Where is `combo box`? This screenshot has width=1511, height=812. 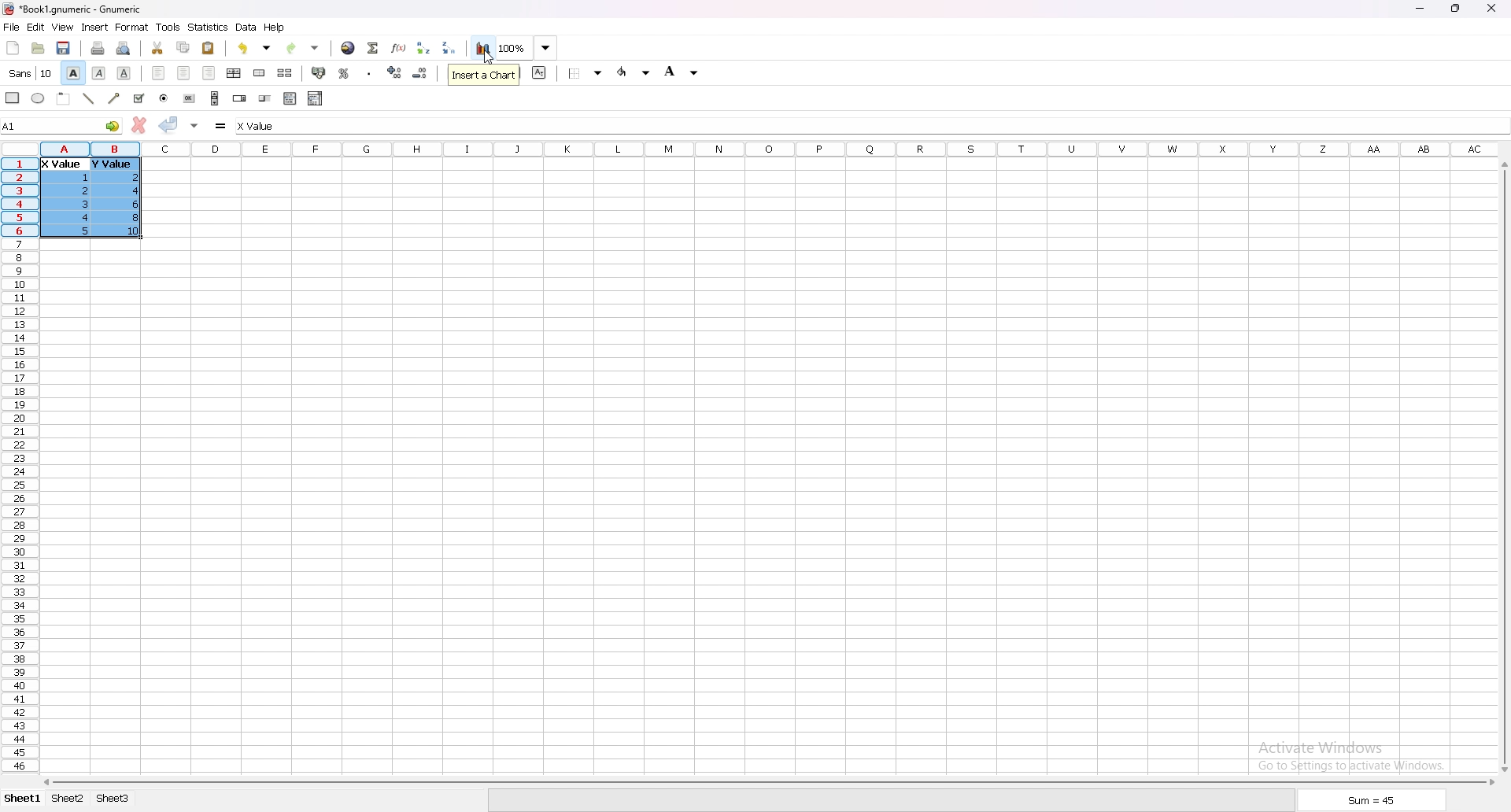
combo box is located at coordinates (315, 98).